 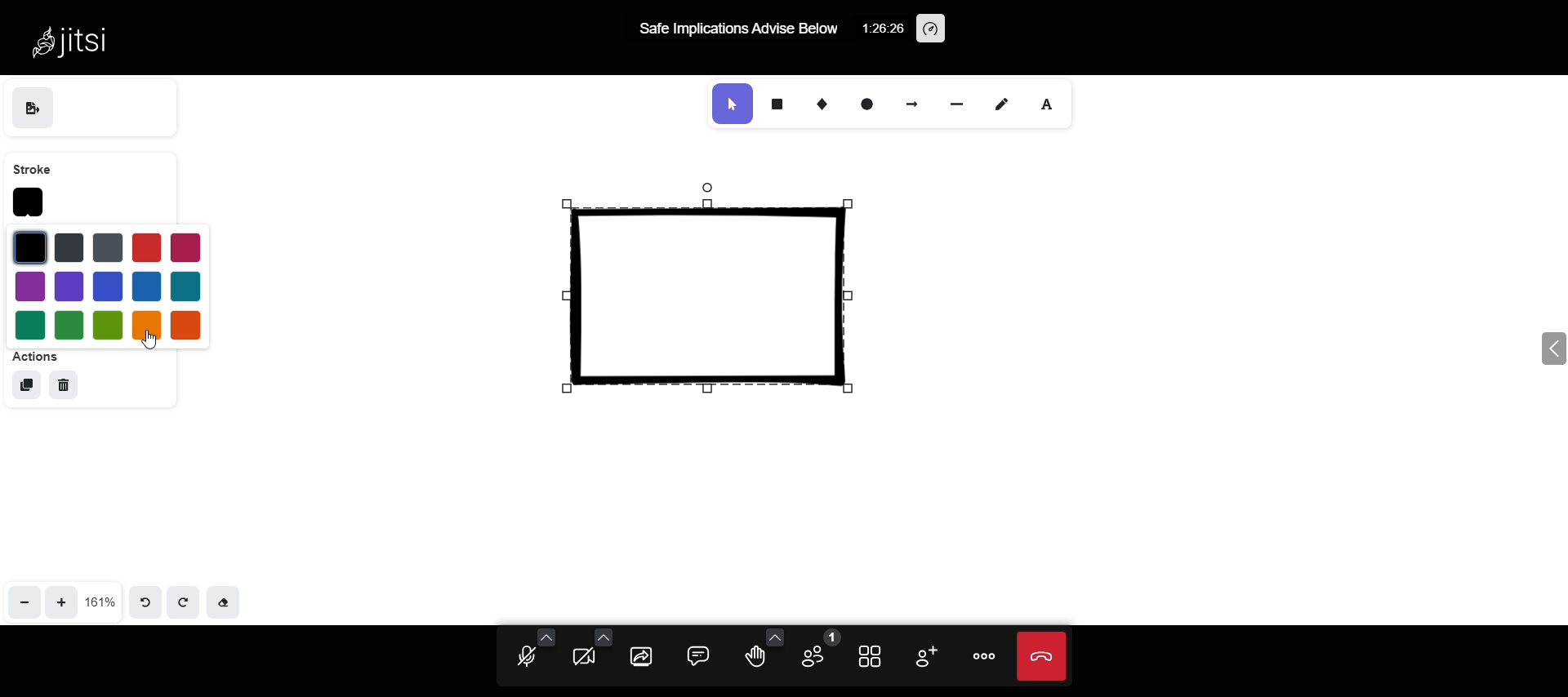 I want to click on performance setting, so click(x=941, y=29).